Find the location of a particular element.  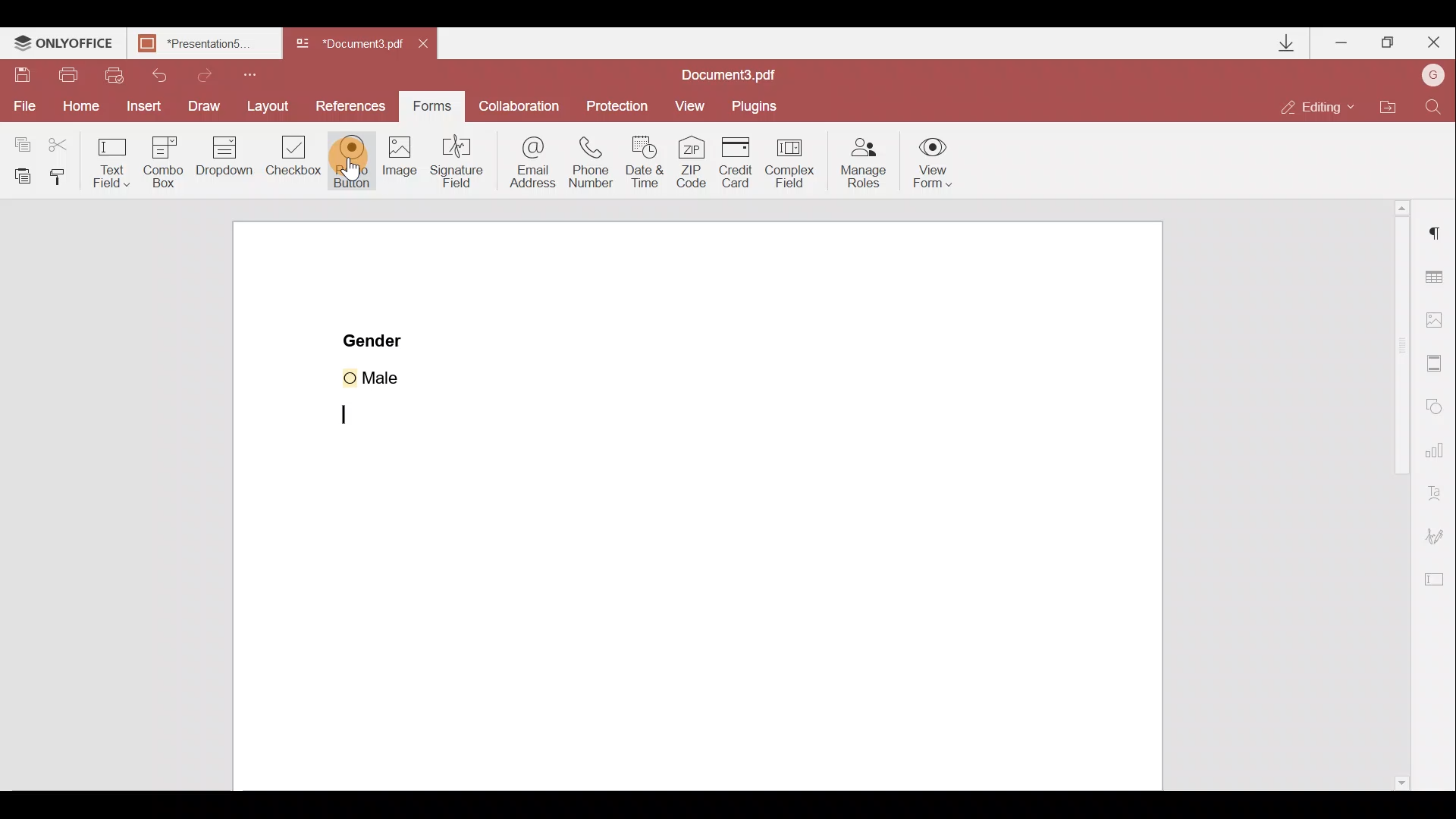

ONLYOFFICE is located at coordinates (63, 45).